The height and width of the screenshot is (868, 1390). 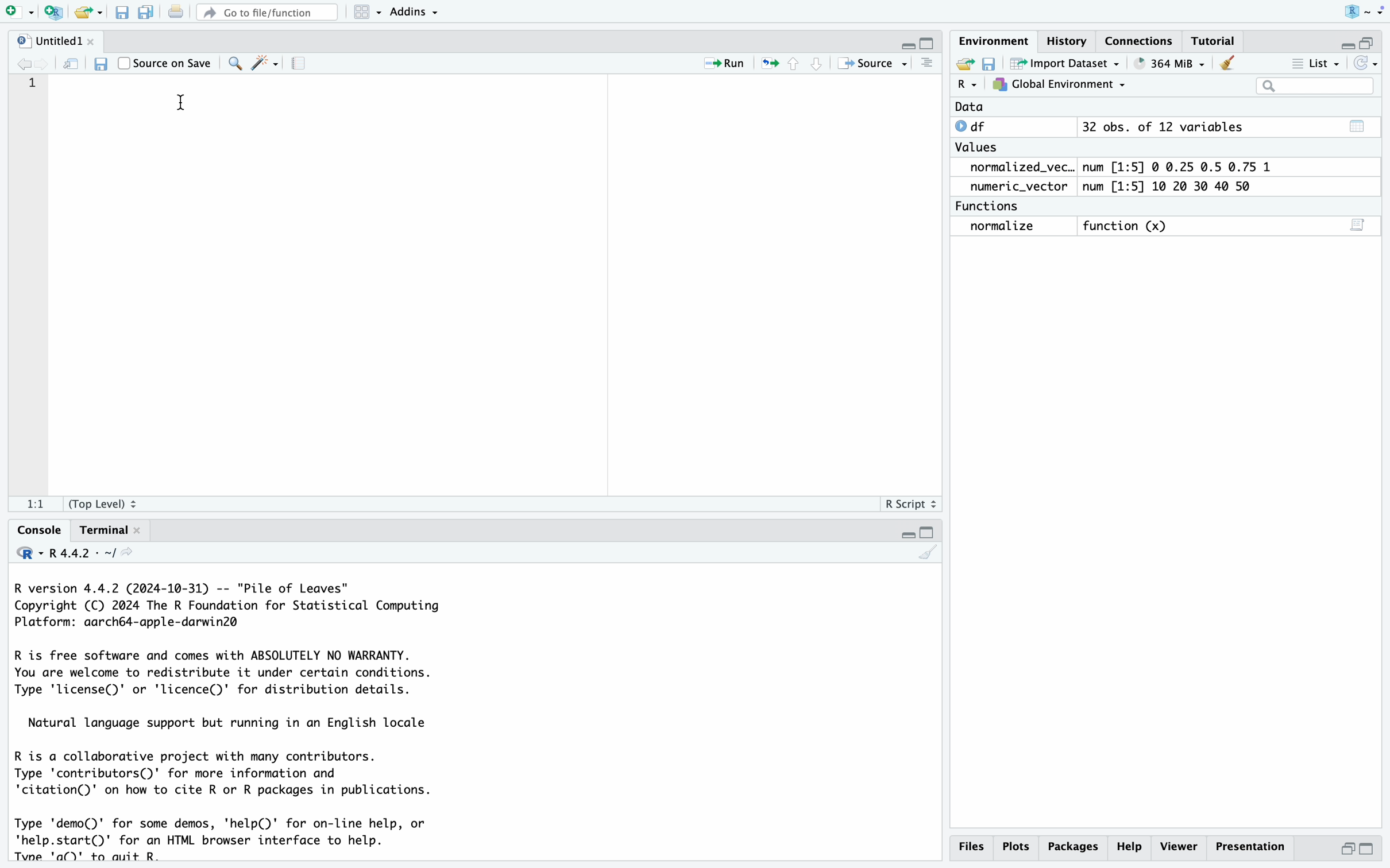 What do you see at coordinates (990, 63) in the screenshot?
I see `Save` at bounding box center [990, 63].